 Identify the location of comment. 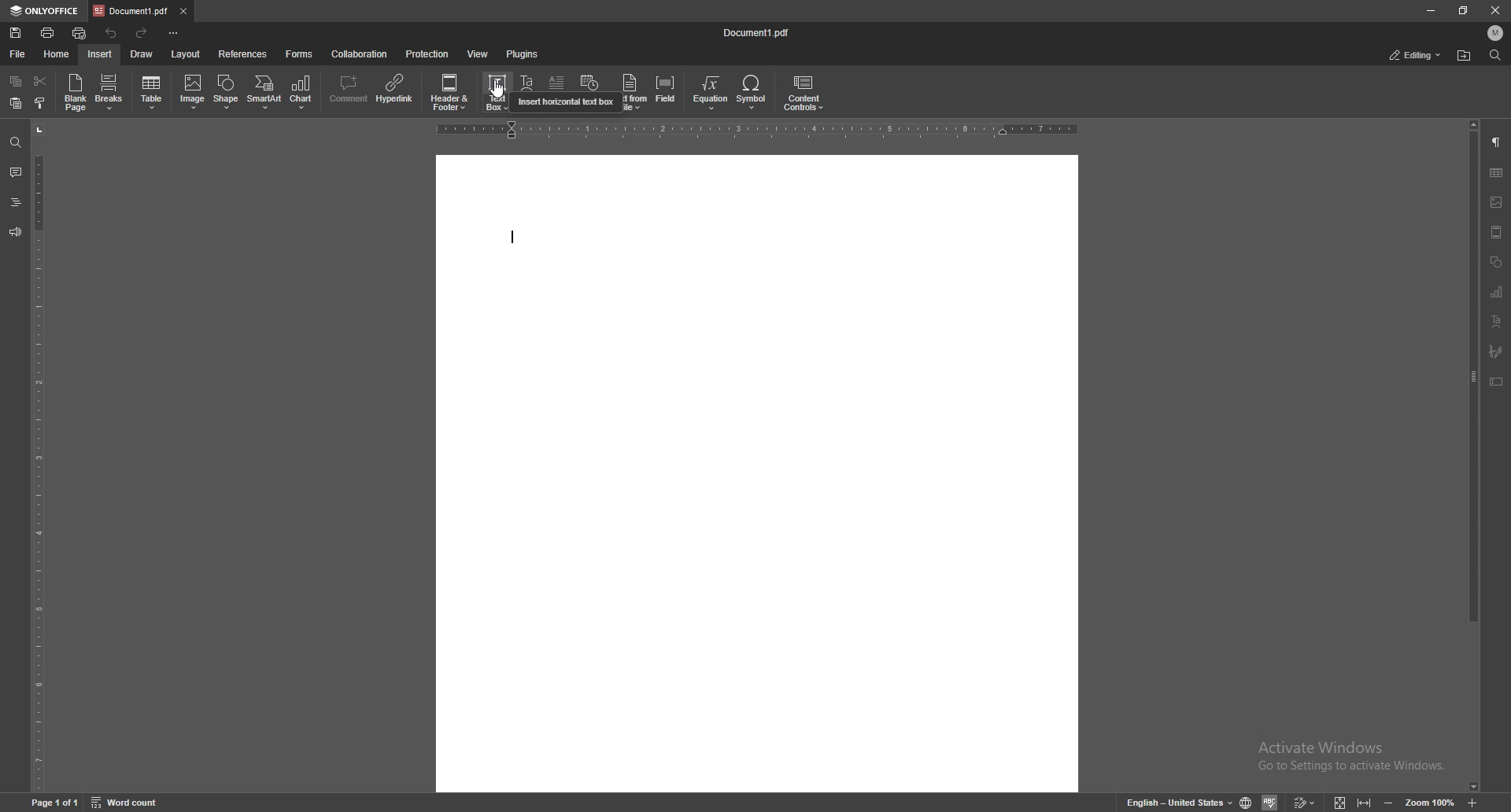
(15, 172).